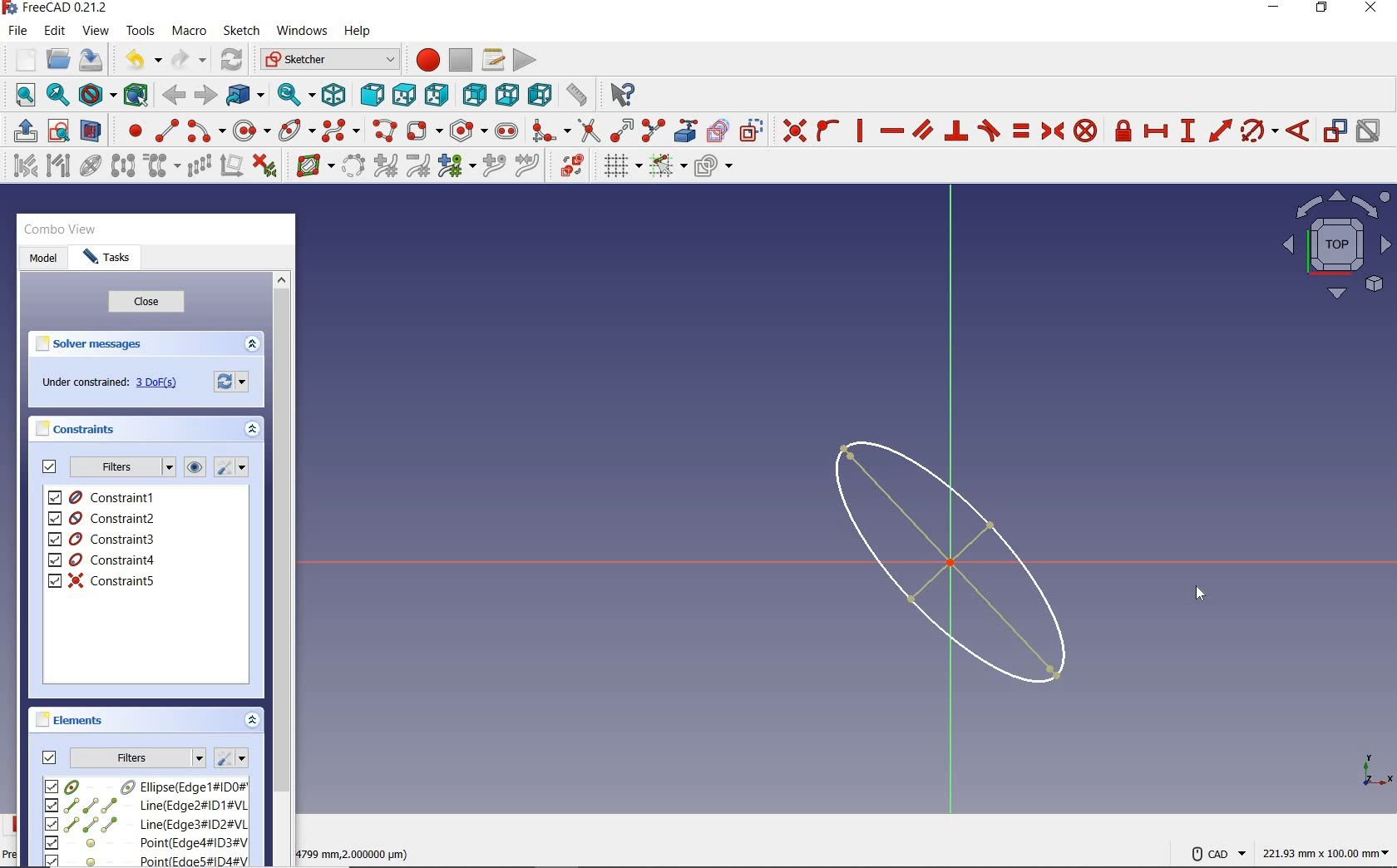 The width and height of the screenshot is (1397, 868). What do you see at coordinates (550, 128) in the screenshot?
I see `create fillet` at bounding box center [550, 128].